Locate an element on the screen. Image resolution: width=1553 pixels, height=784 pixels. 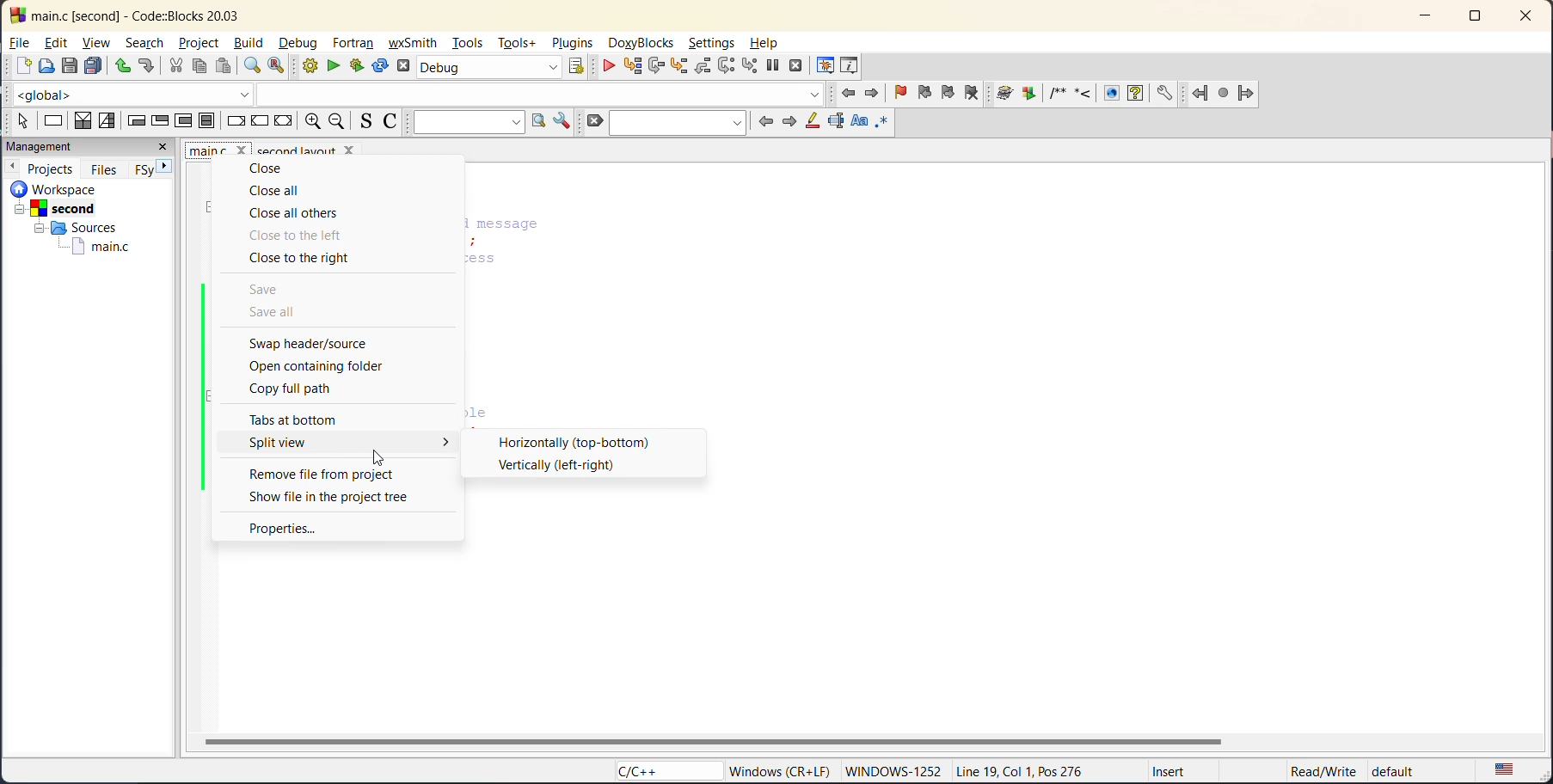
wxsmith is located at coordinates (411, 43).